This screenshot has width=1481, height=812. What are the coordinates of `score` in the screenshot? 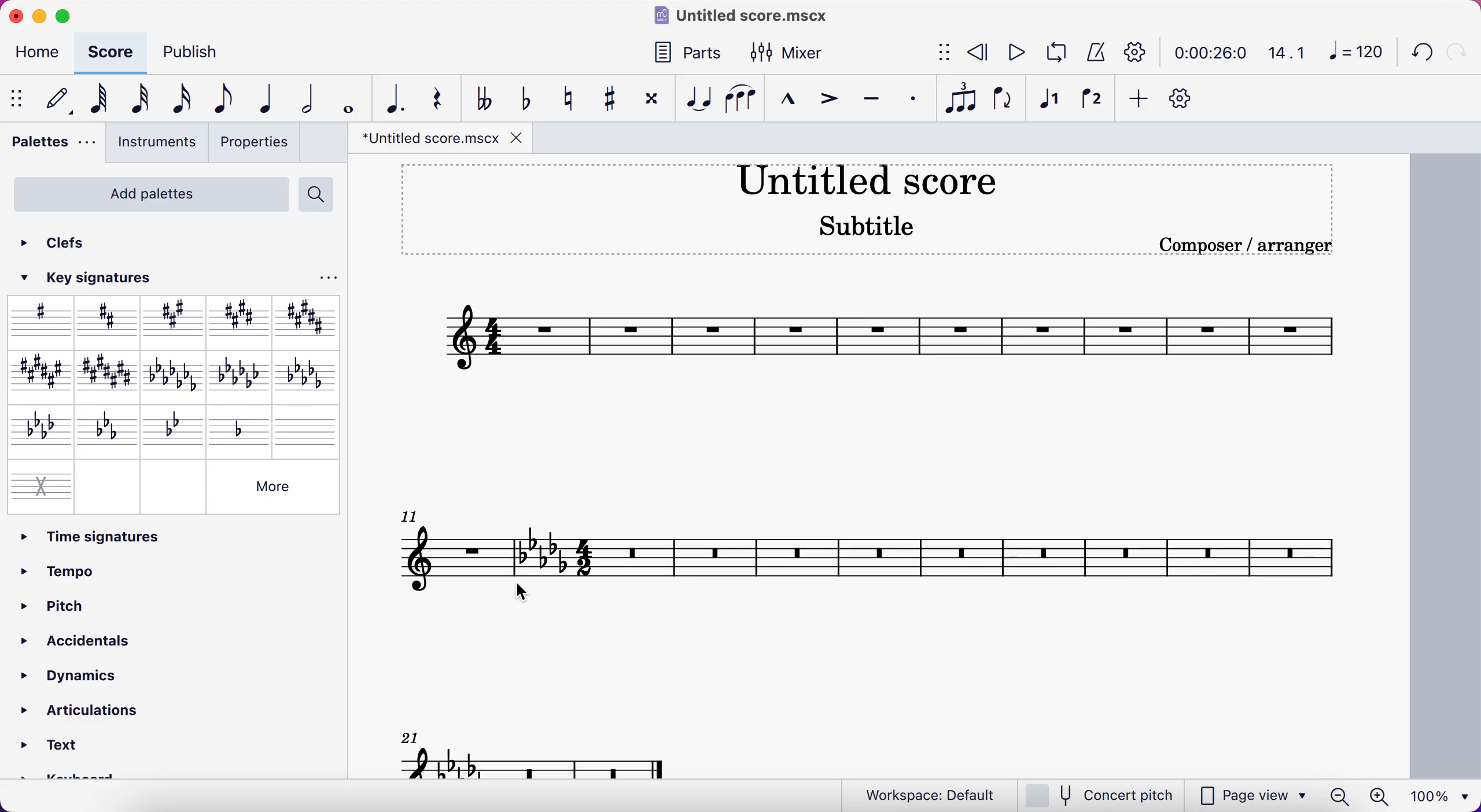 It's located at (113, 53).